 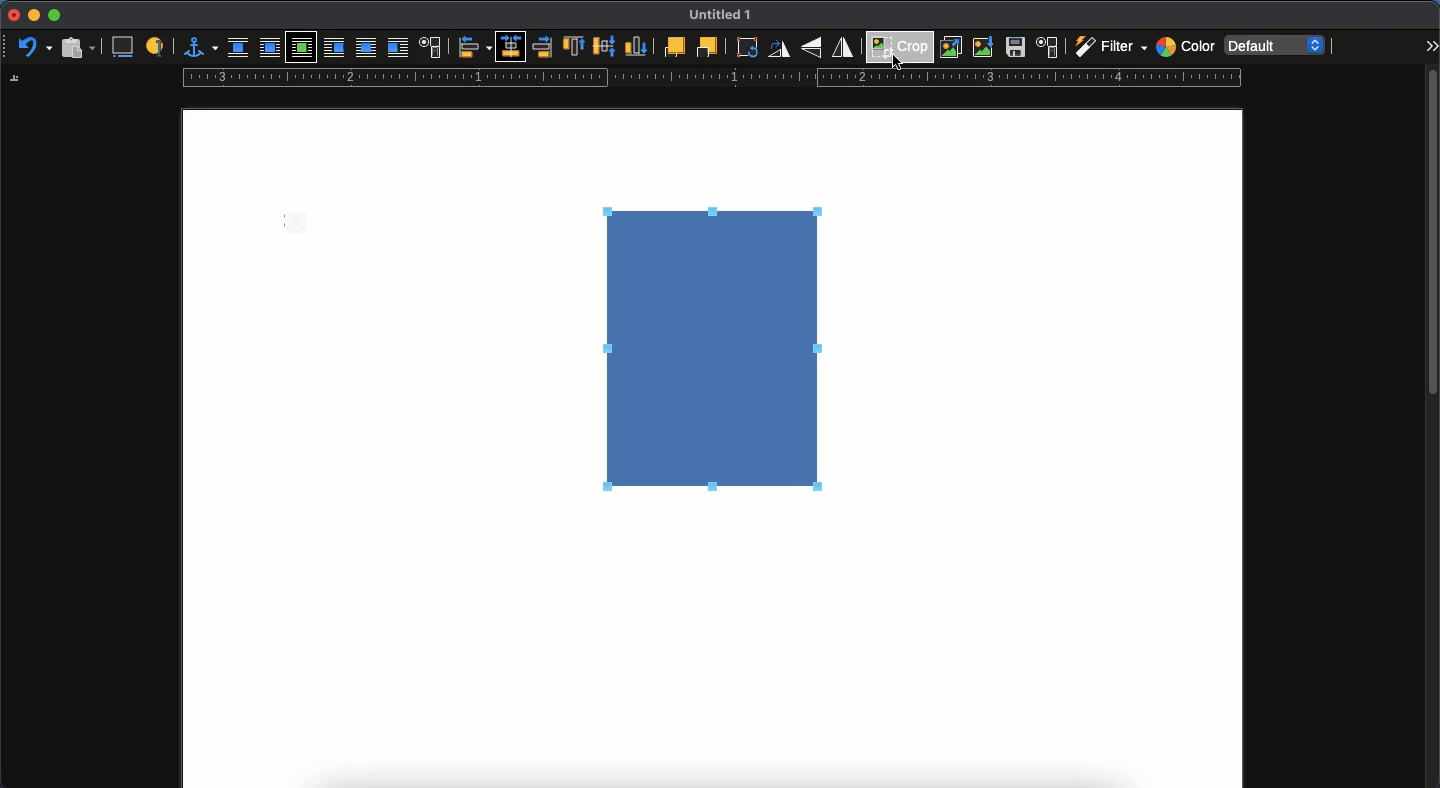 What do you see at coordinates (573, 48) in the screenshot?
I see `top to anchor` at bounding box center [573, 48].